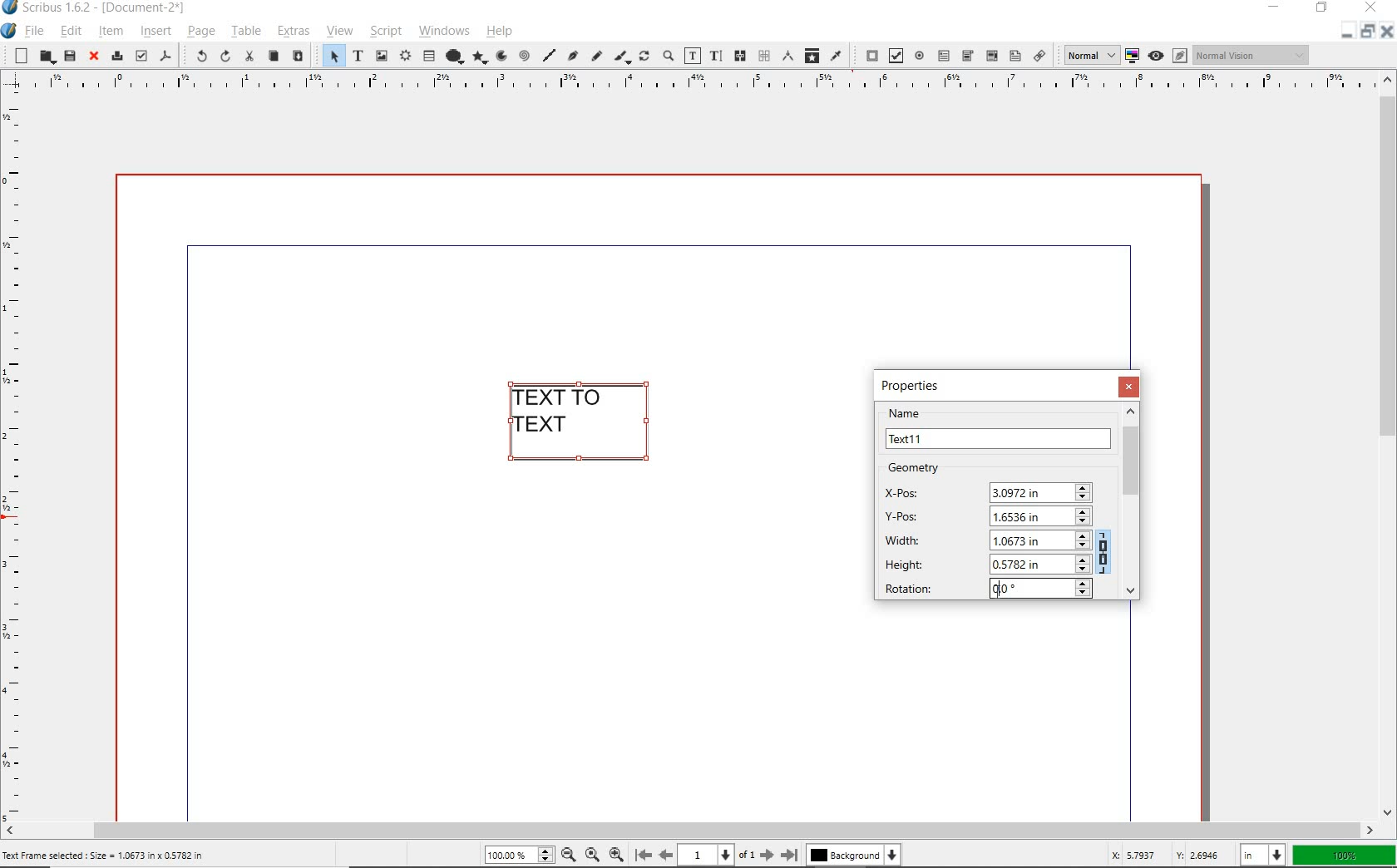 This screenshot has width=1397, height=868. What do you see at coordinates (999, 428) in the screenshot?
I see `NAME` at bounding box center [999, 428].